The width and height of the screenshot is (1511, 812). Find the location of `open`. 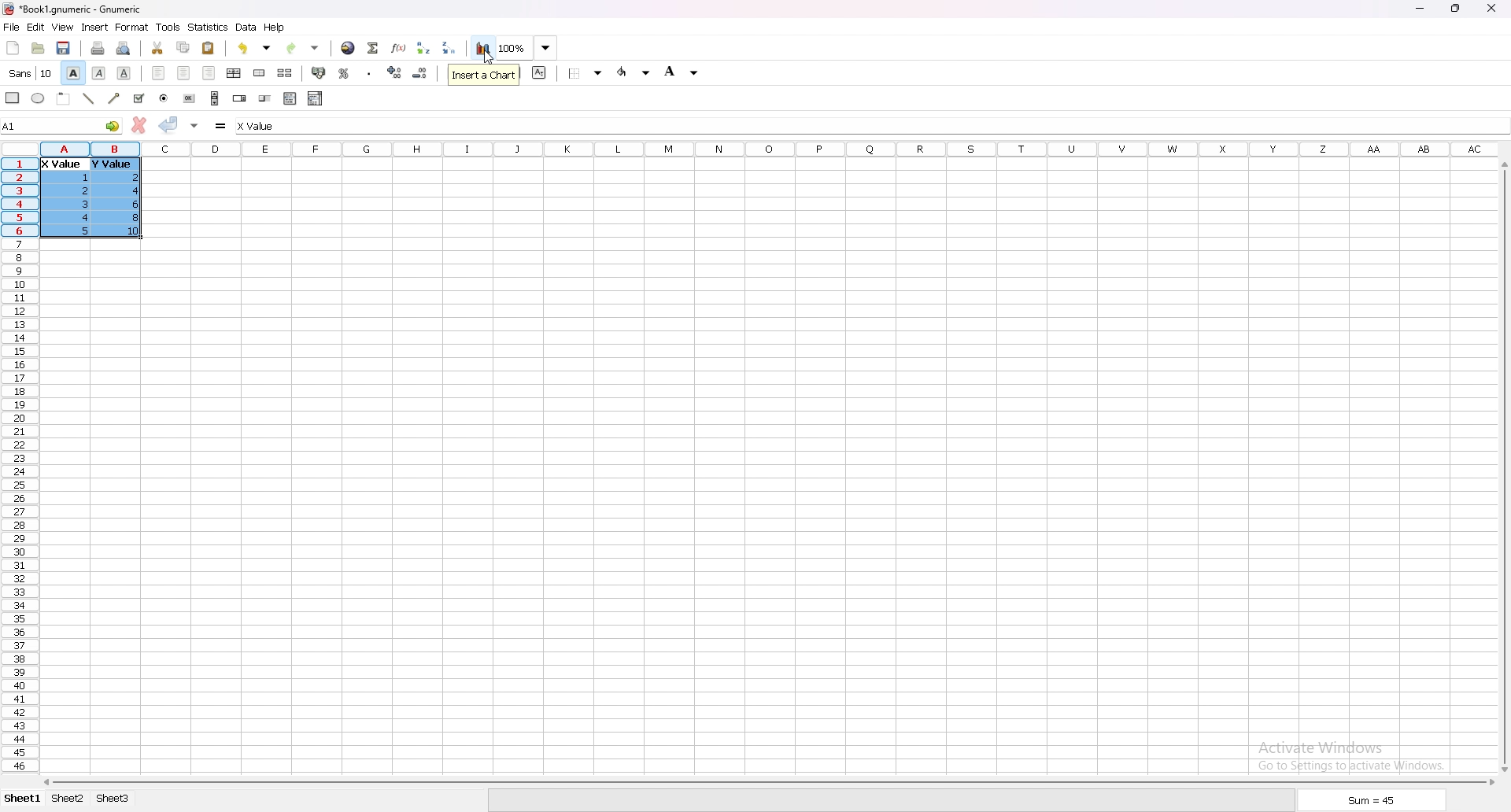

open is located at coordinates (38, 48).